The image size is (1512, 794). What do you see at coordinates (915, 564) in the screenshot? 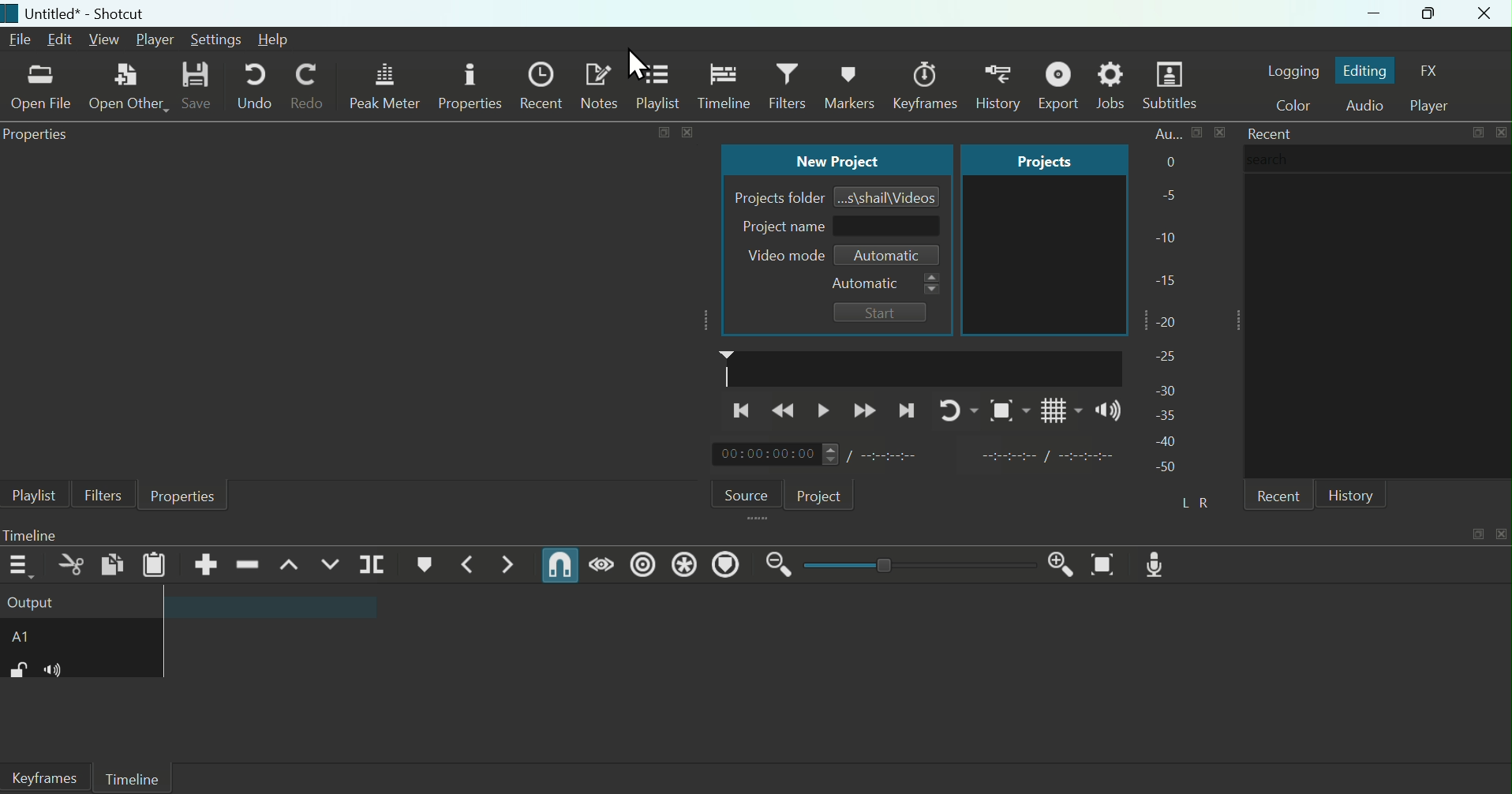
I see `Zoom scroller` at bounding box center [915, 564].